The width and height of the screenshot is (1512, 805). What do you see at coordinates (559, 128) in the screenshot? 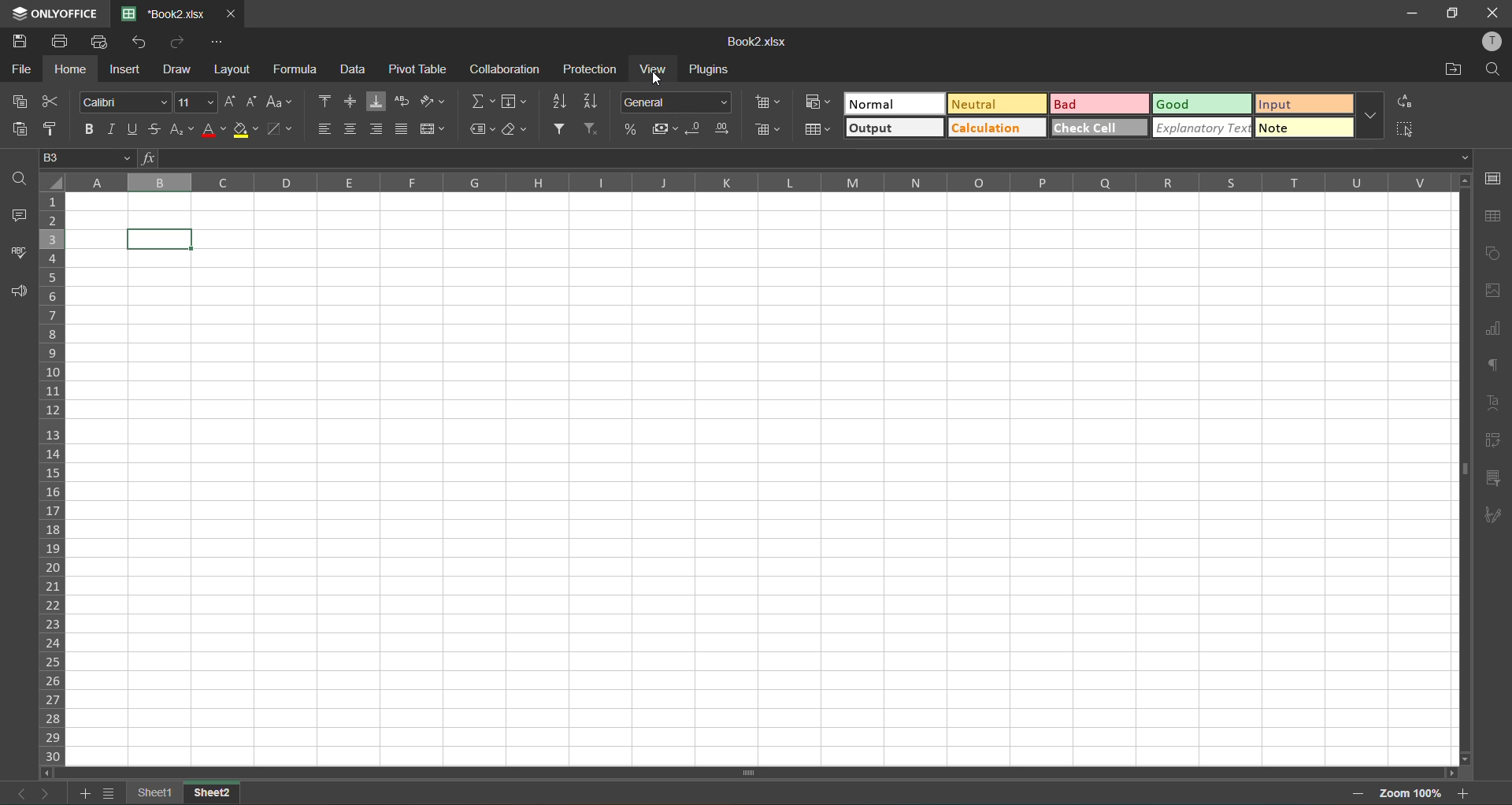
I see `filter` at bounding box center [559, 128].